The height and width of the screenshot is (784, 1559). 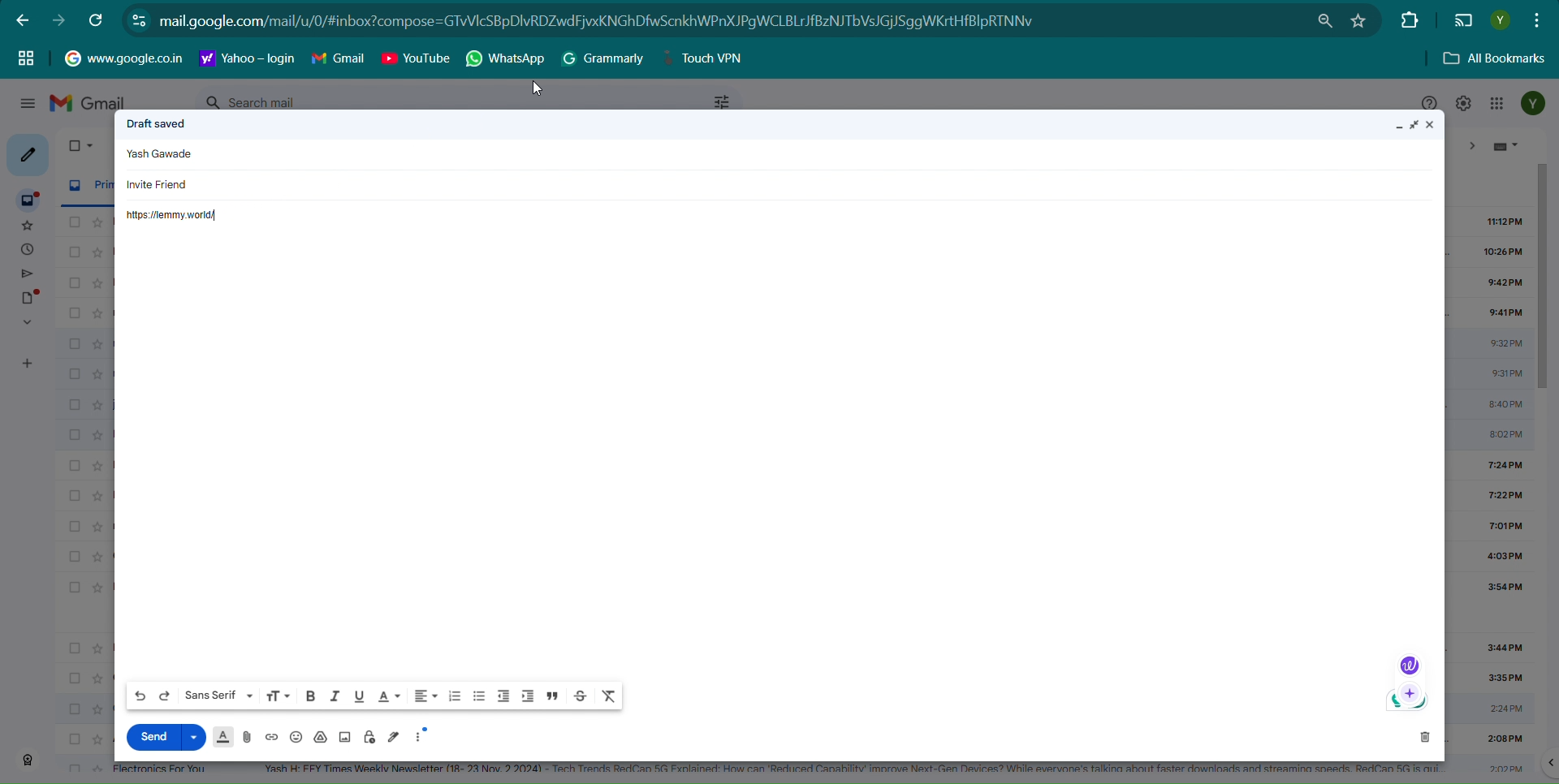 I want to click on More Option, so click(x=423, y=734).